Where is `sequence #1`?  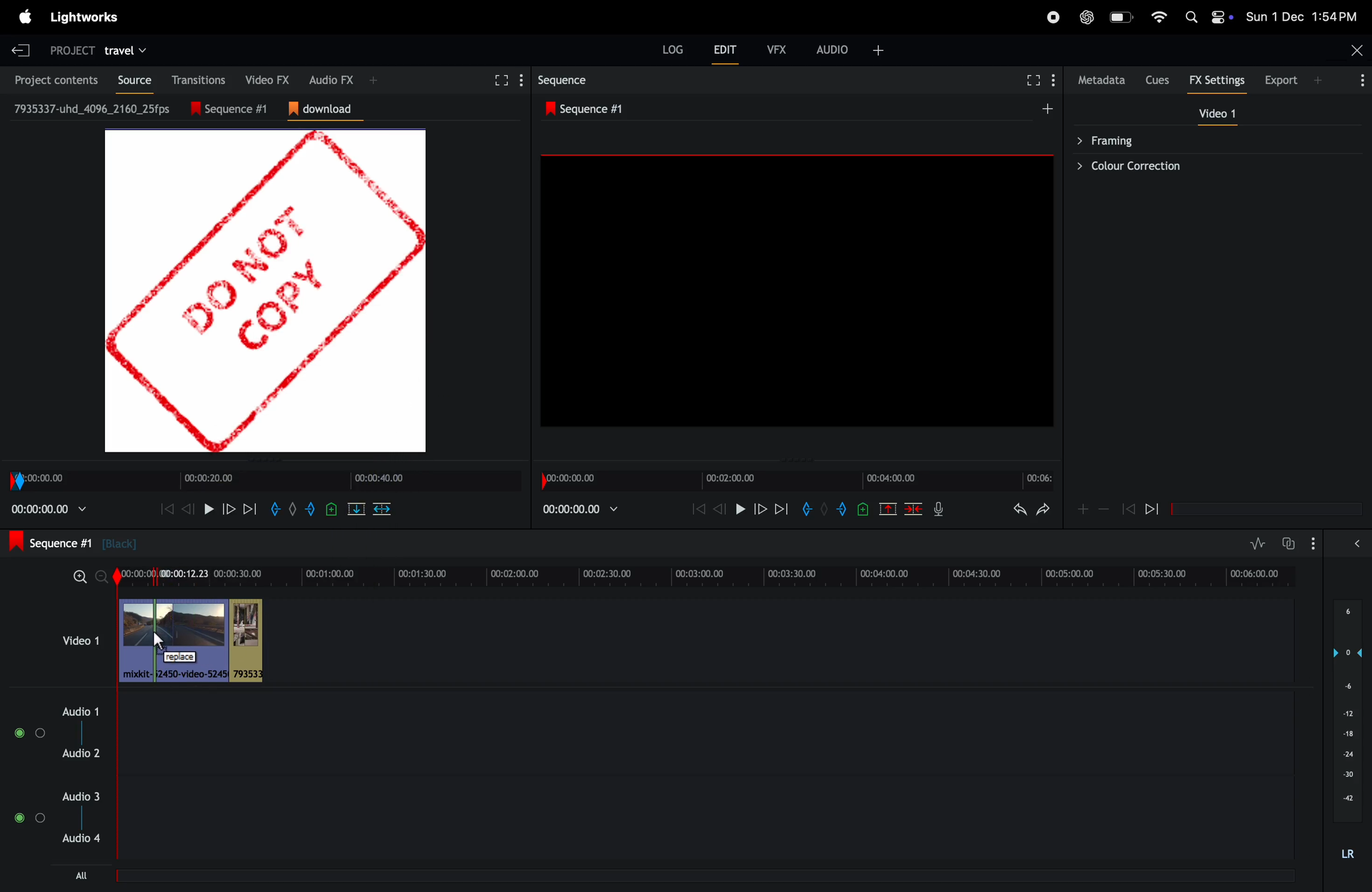
sequence #1 is located at coordinates (236, 109).